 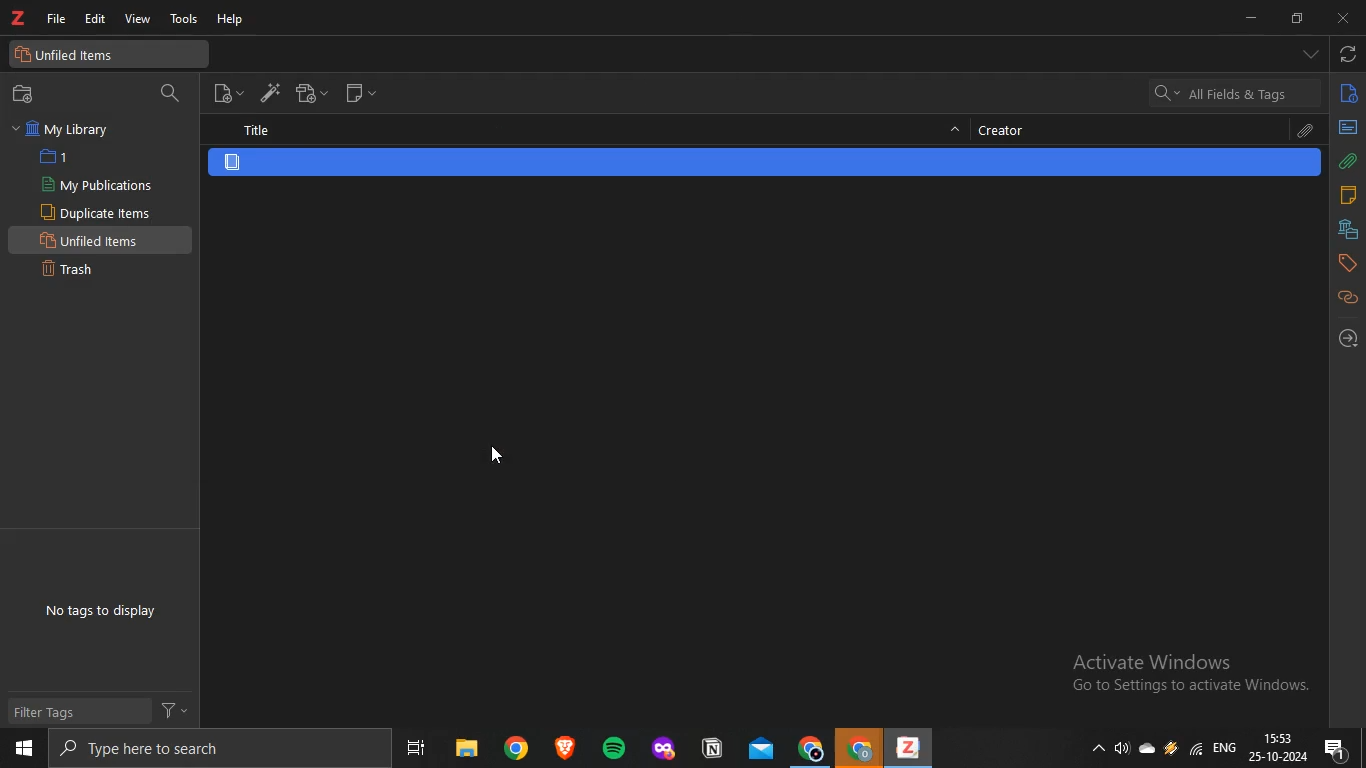 What do you see at coordinates (860, 748) in the screenshot?
I see `chrome` at bounding box center [860, 748].